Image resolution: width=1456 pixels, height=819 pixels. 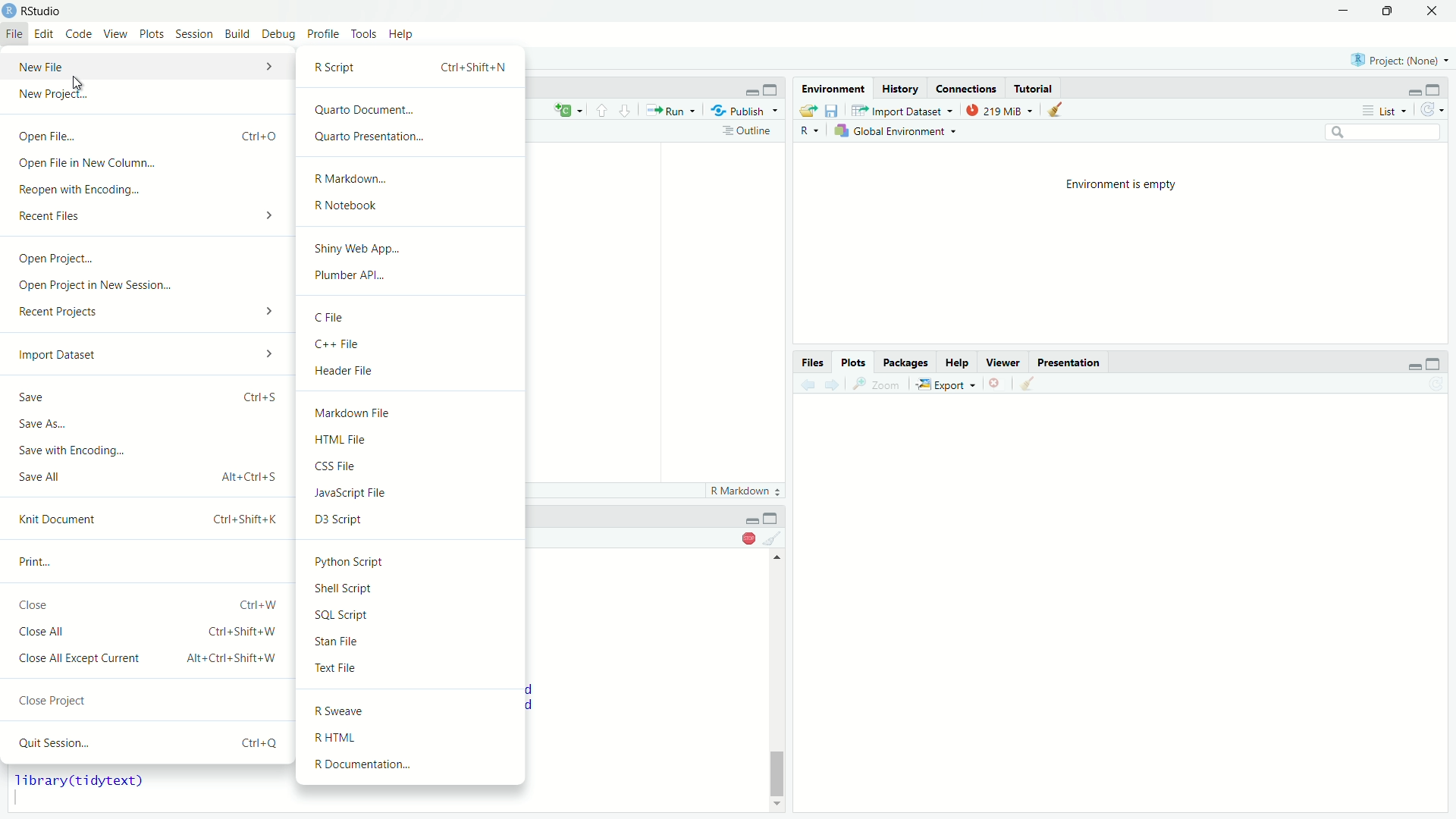 What do you see at coordinates (149, 135) in the screenshot?
I see `Open File..` at bounding box center [149, 135].